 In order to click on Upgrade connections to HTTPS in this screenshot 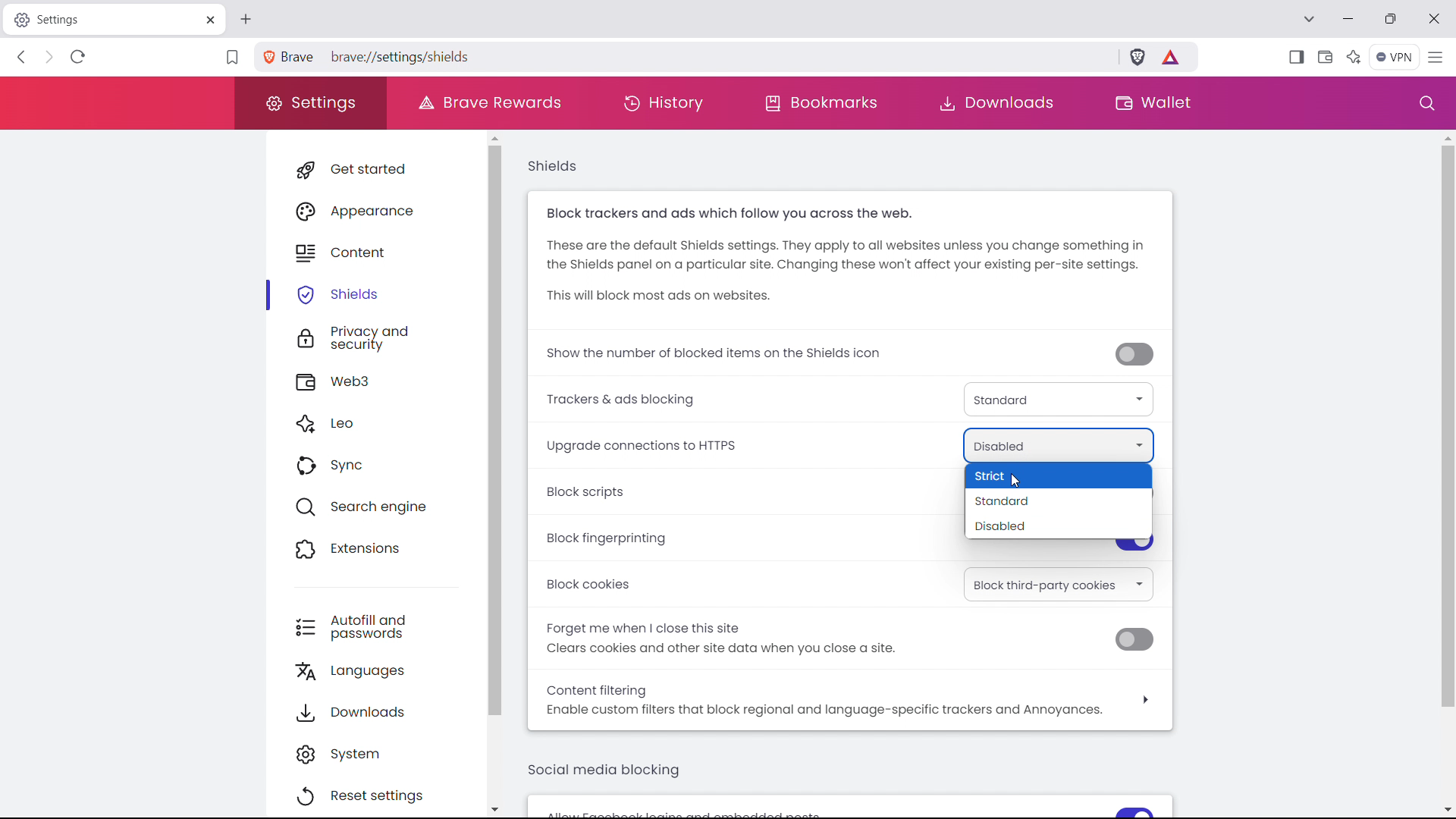, I will do `click(648, 444)`.